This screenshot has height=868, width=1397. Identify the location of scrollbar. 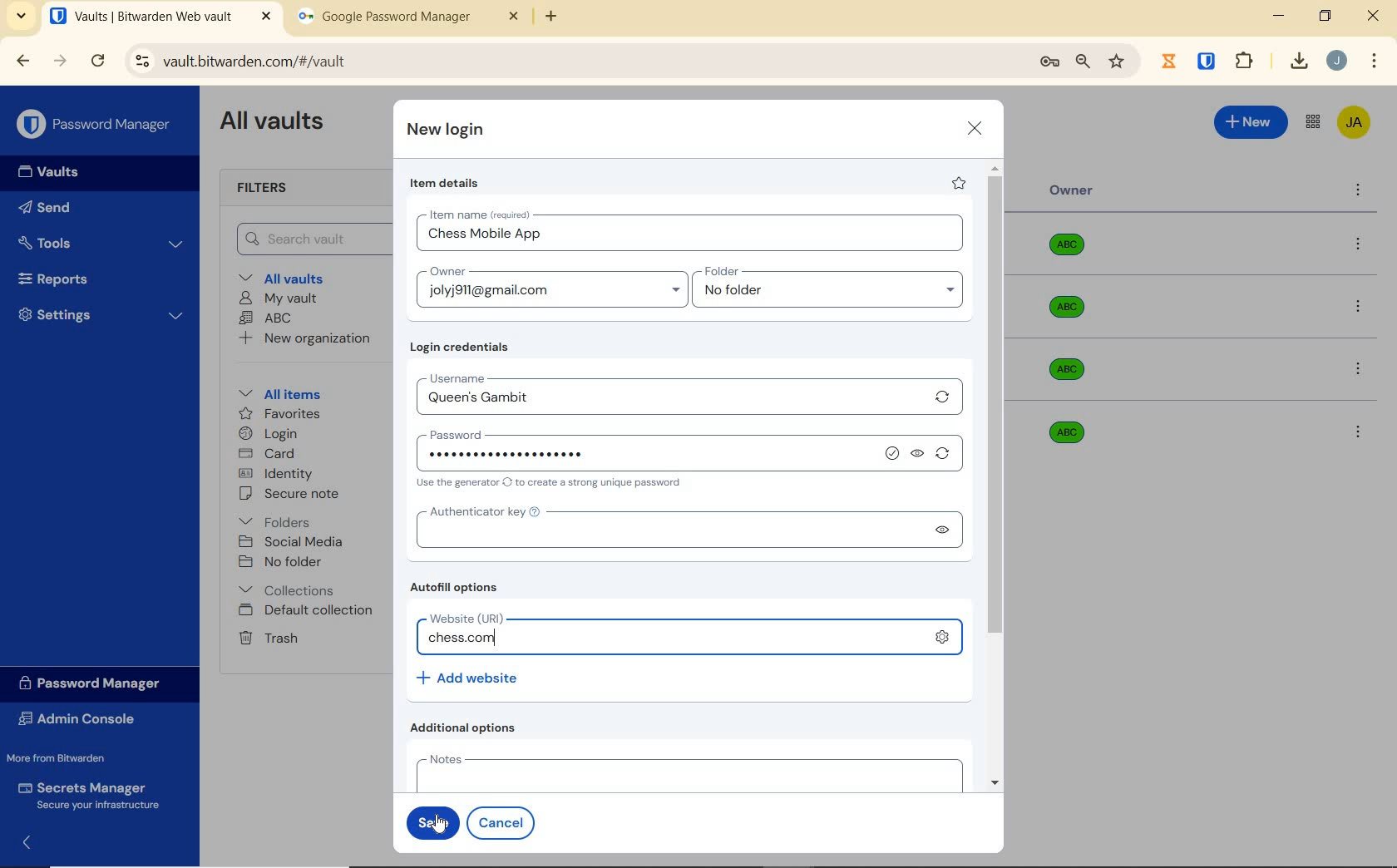
(997, 476).